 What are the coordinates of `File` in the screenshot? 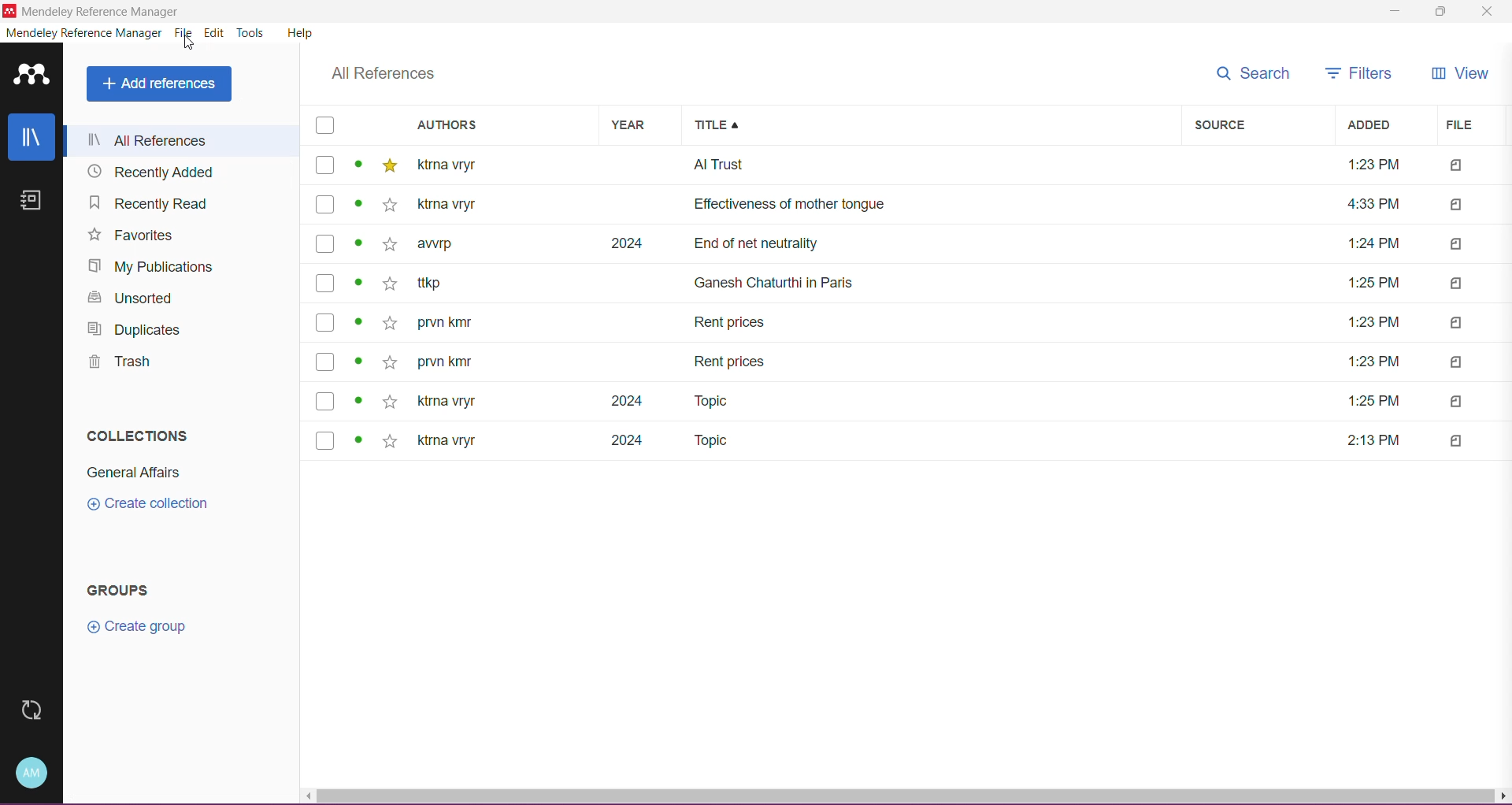 It's located at (1467, 126).